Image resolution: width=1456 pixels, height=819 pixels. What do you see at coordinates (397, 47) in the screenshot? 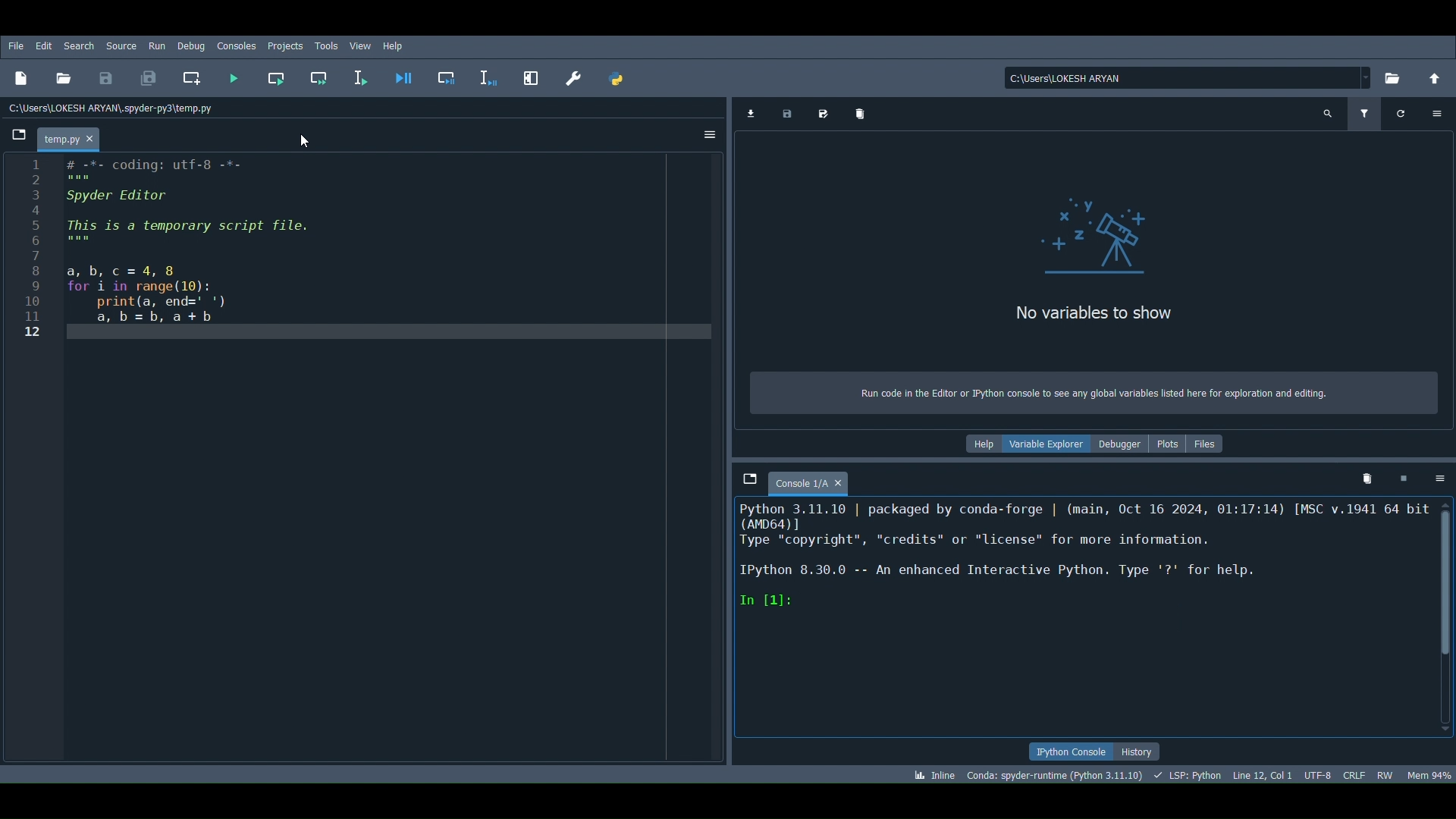
I see `Help` at bounding box center [397, 47].